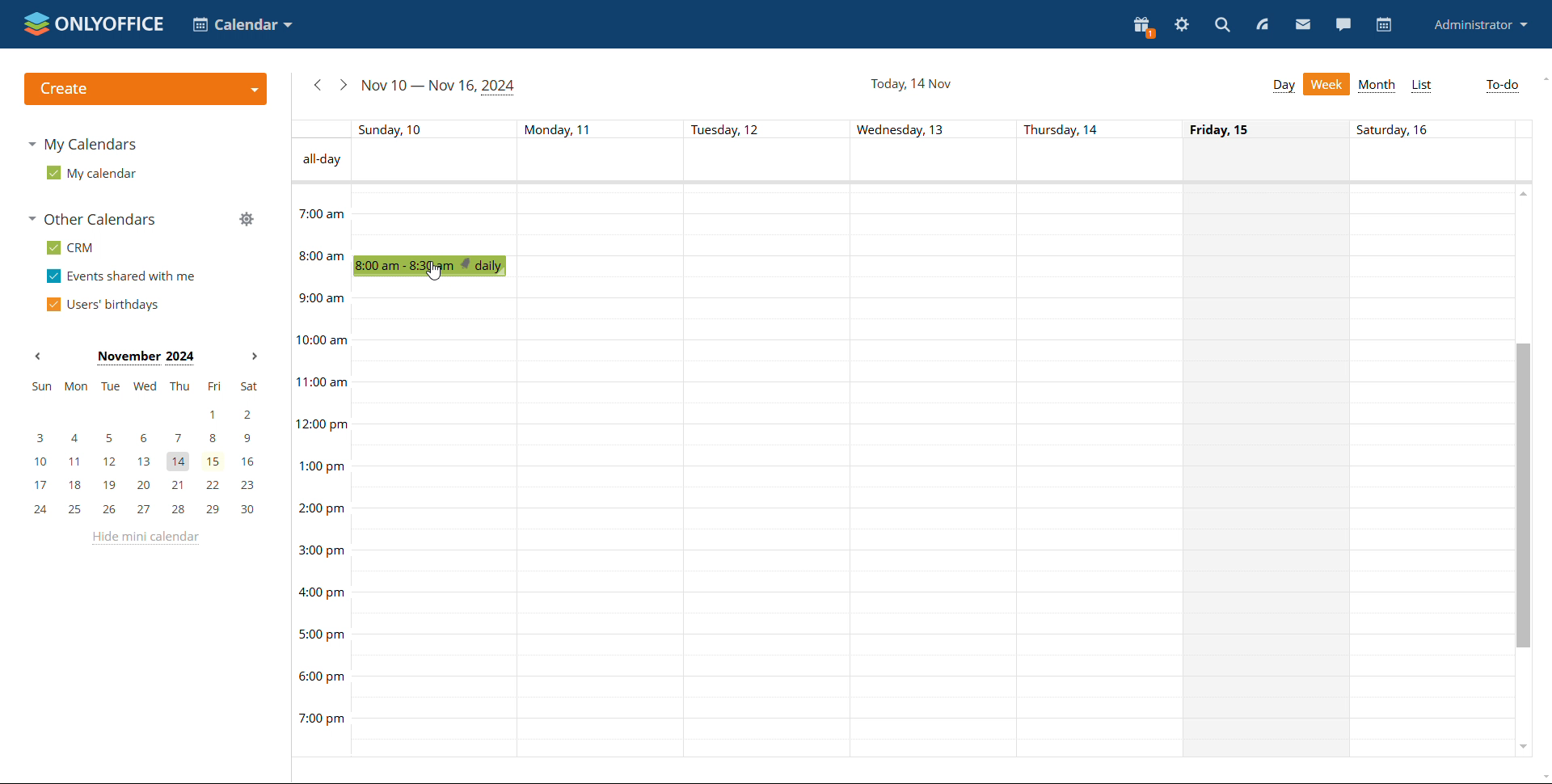  Describe the element at coordinates (317, 85) in the screenshot. I see `previous week` at that location.